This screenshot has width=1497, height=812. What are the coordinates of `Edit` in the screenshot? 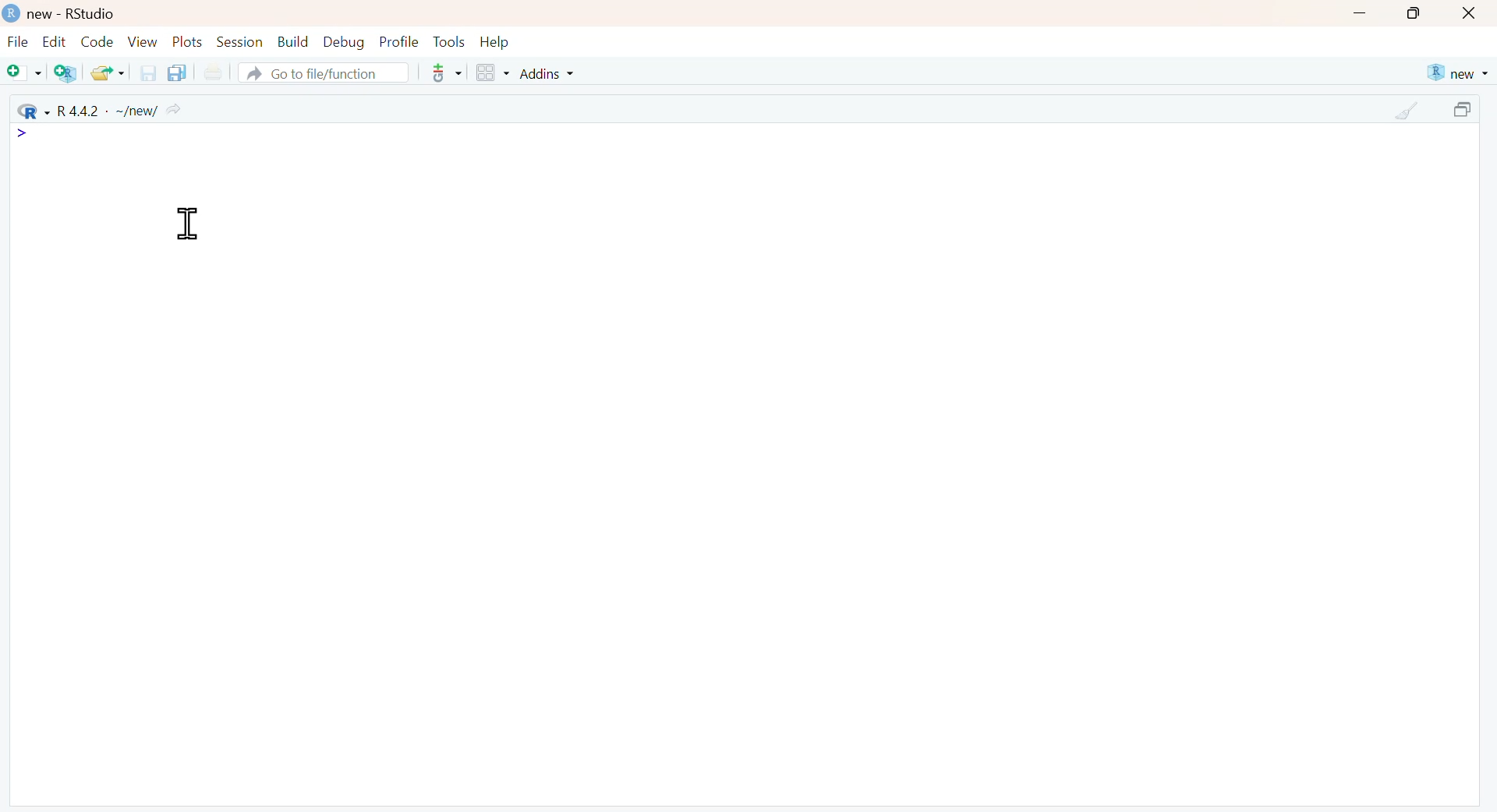 It's located at (53, 42).